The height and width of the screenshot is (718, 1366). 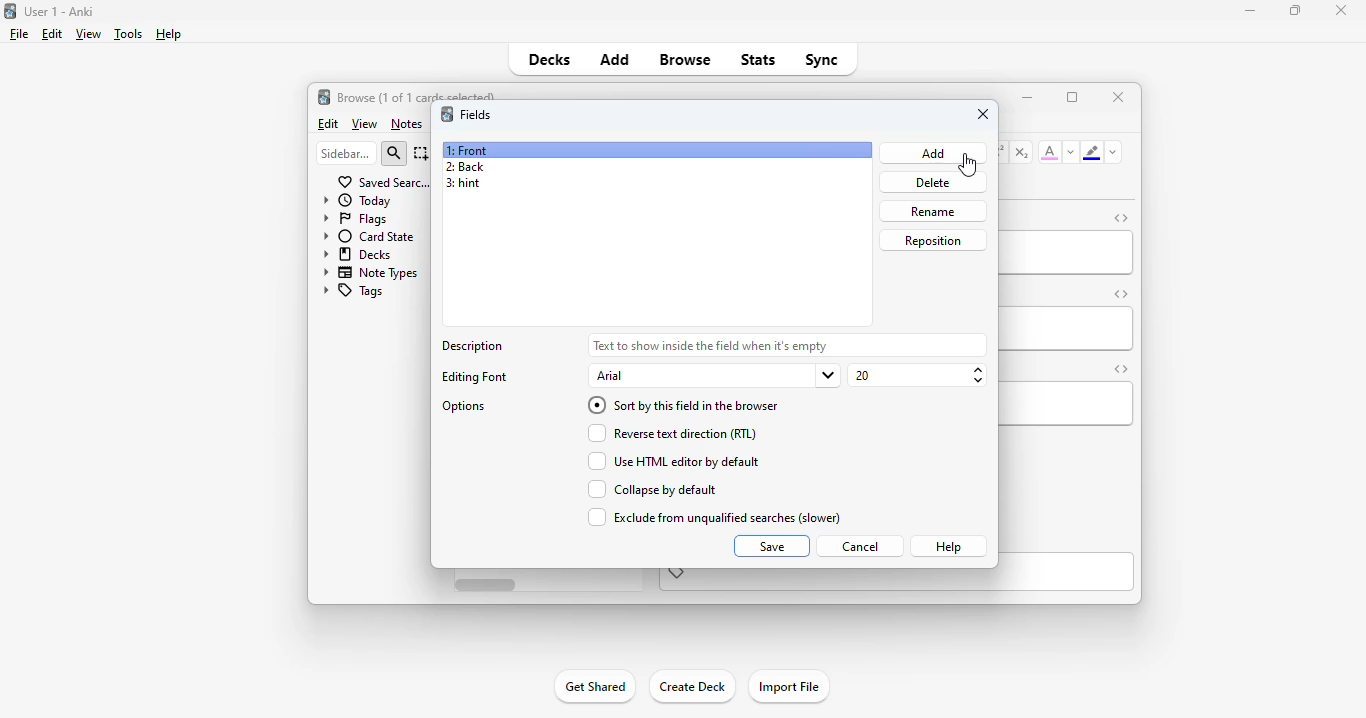 I want to click on 3: hint, so click(x=462, y=184).